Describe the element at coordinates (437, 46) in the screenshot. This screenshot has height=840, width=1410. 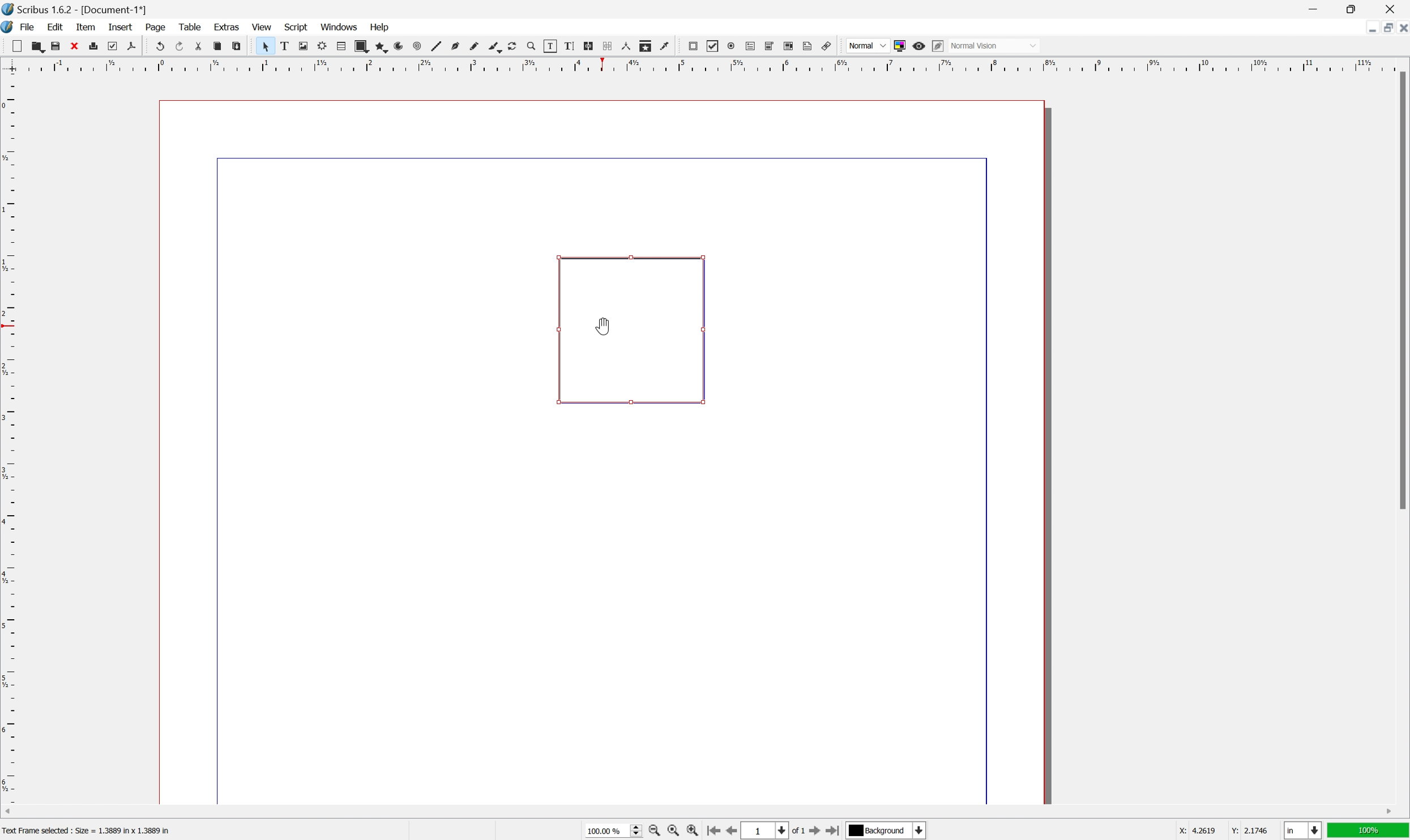
I see `line` at that location.